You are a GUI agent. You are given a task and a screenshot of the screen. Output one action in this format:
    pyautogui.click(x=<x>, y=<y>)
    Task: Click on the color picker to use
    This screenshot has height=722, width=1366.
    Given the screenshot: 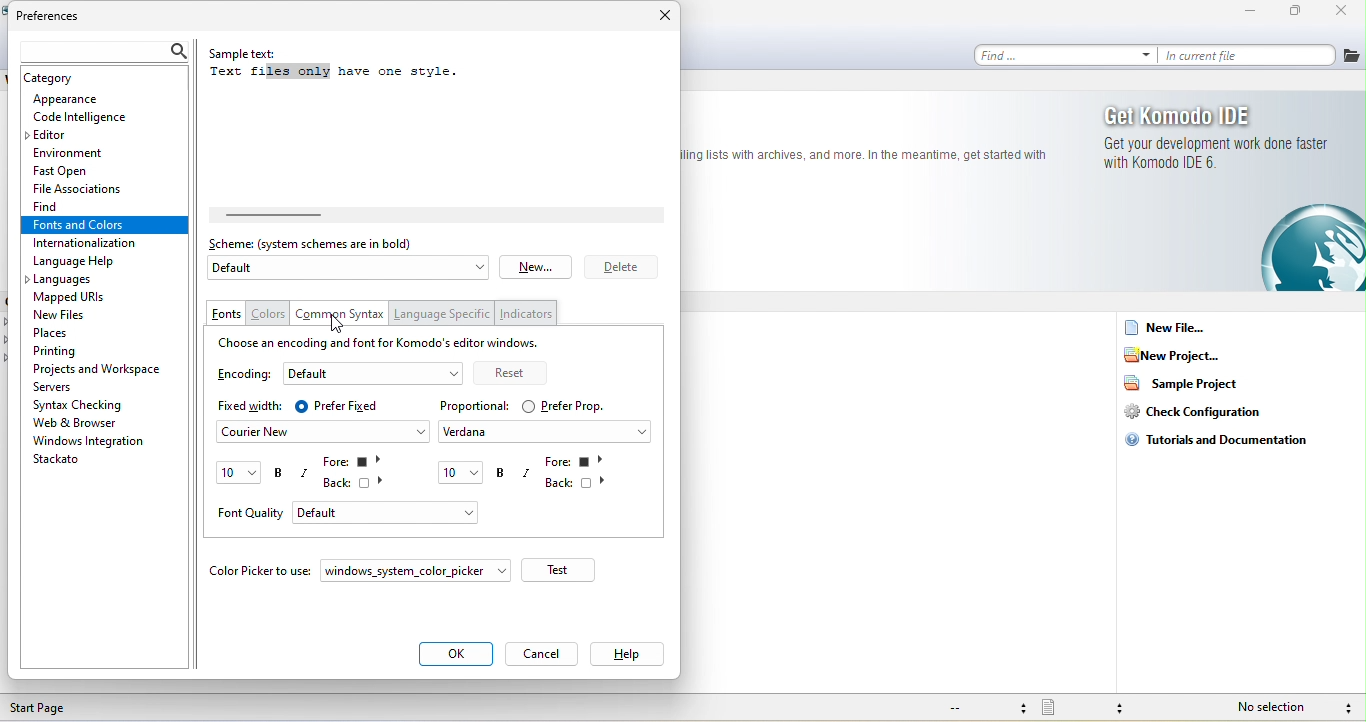 What is the action you would take?
    pyautogui.click(x=261, y=570)
    